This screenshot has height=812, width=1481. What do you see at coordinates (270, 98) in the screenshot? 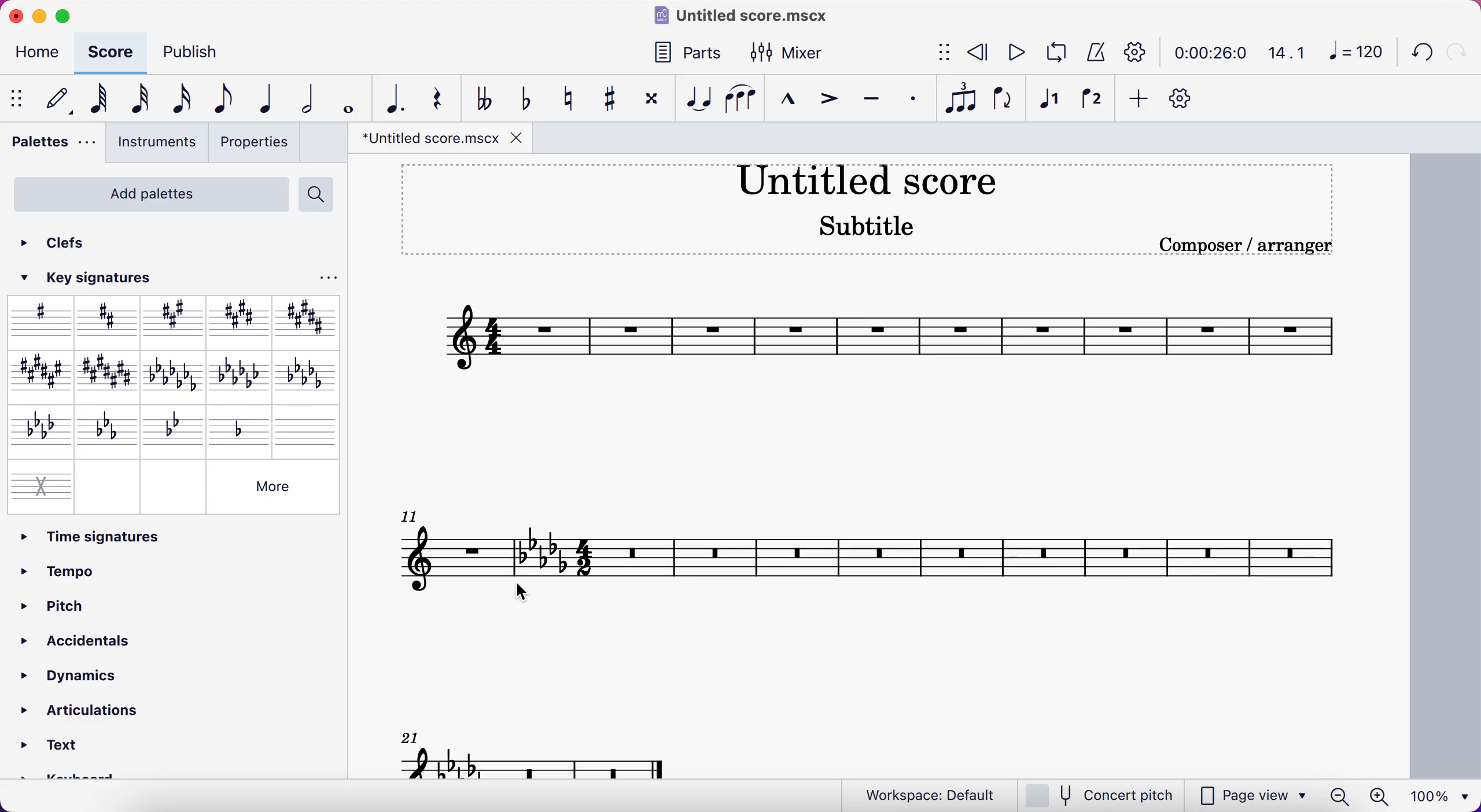
I see `quarter note` at bounding box center [270, 98].